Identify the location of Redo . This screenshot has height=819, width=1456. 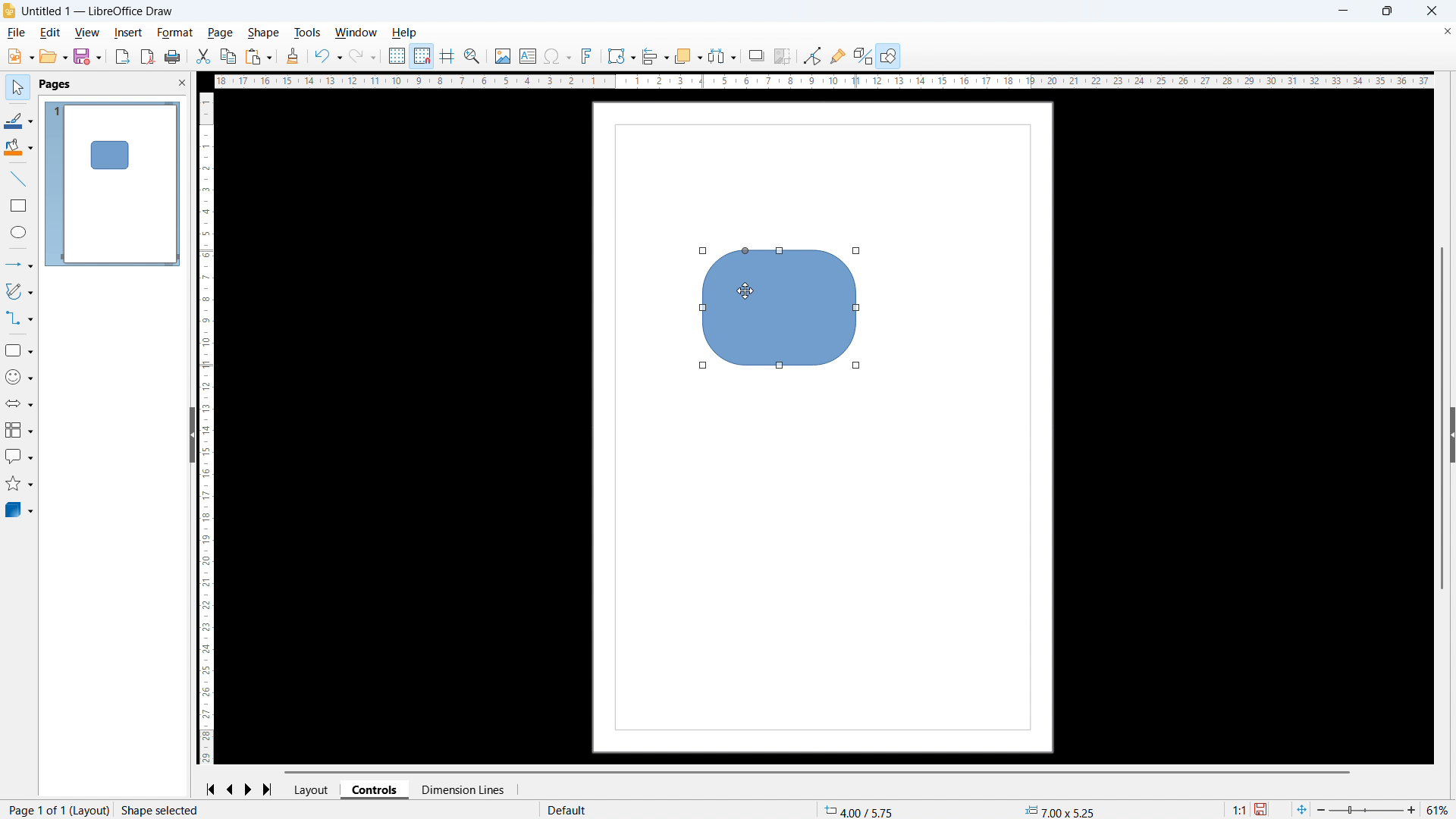
(363, 57).